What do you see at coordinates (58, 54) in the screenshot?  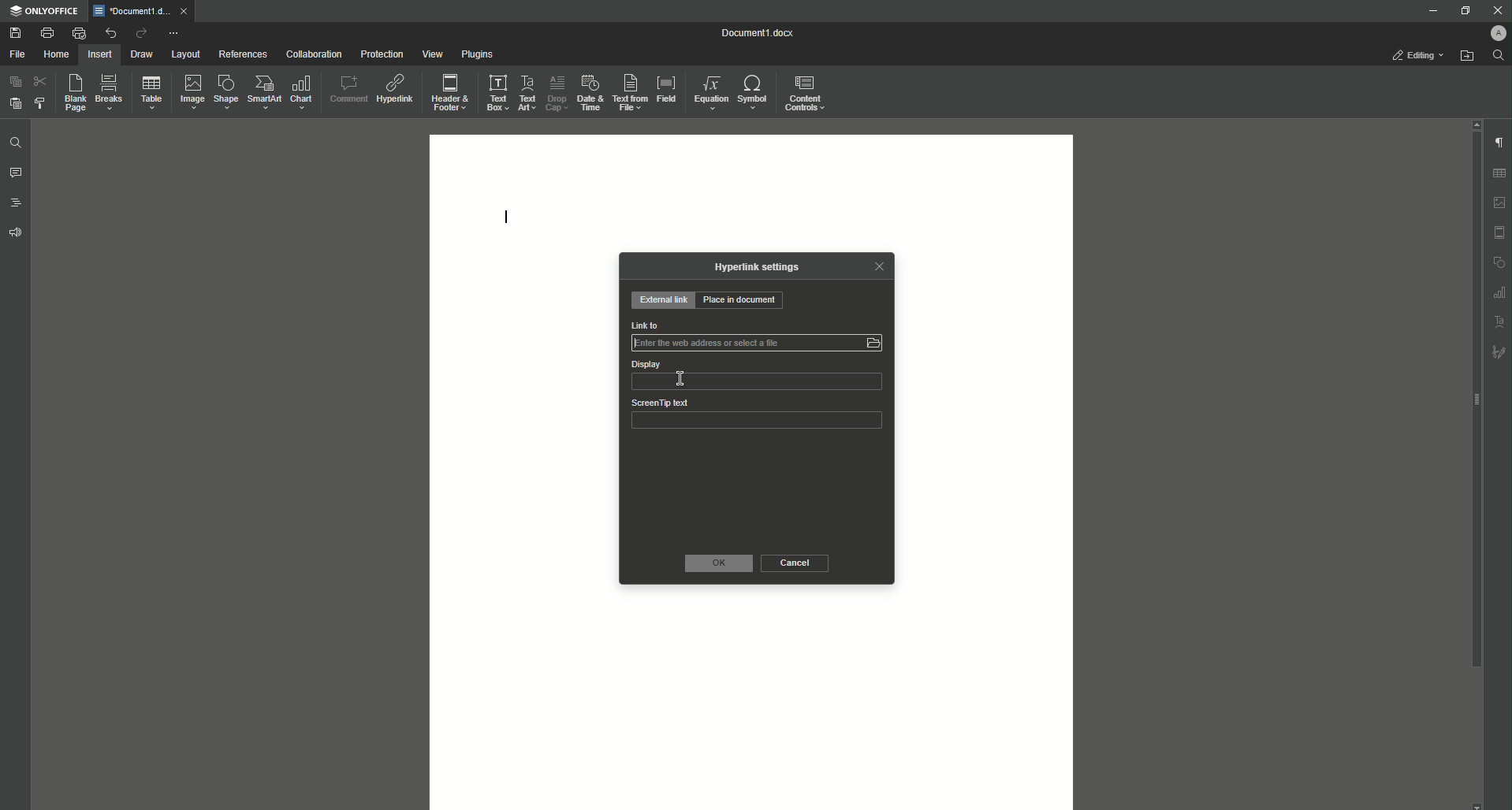 I see `Home` at bounding box center [58, 54].